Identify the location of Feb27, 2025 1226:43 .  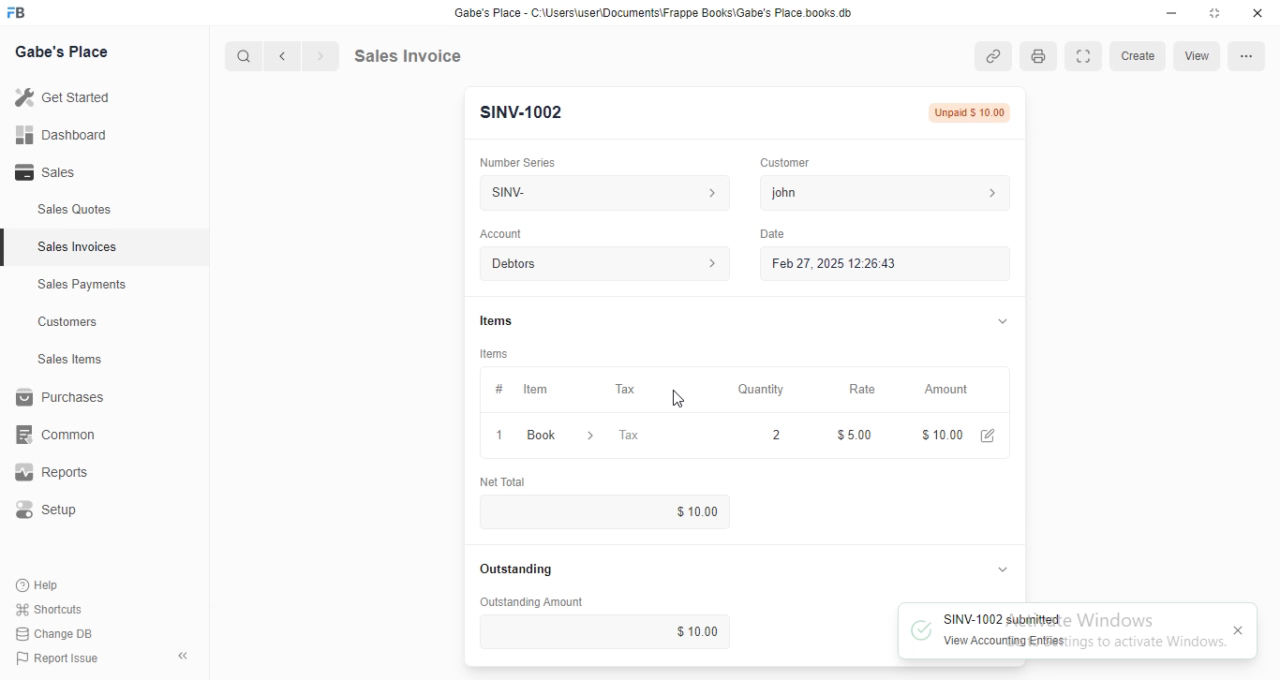
(826, 266).